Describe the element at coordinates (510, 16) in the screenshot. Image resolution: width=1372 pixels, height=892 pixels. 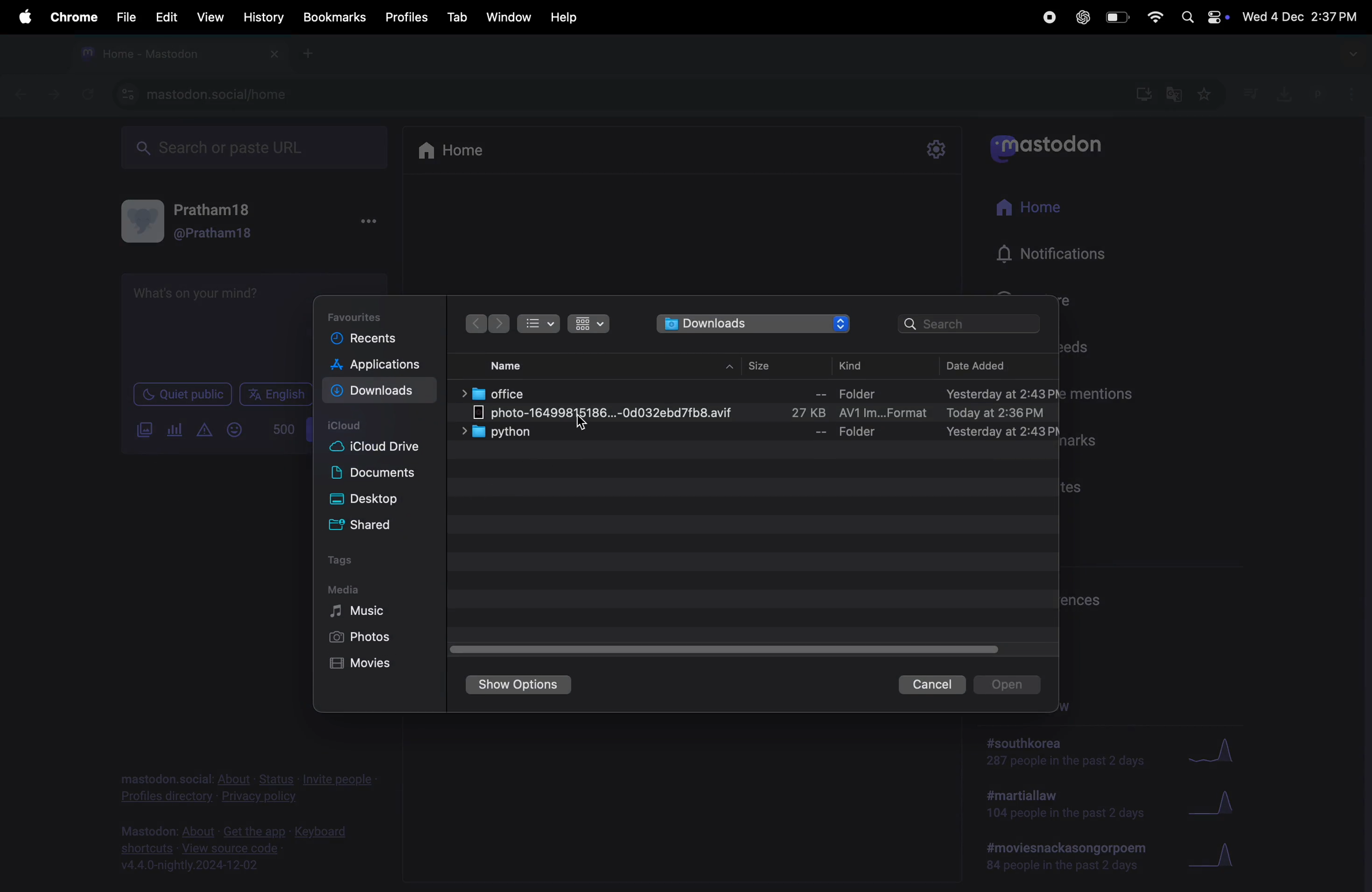
I see `window` at that location.